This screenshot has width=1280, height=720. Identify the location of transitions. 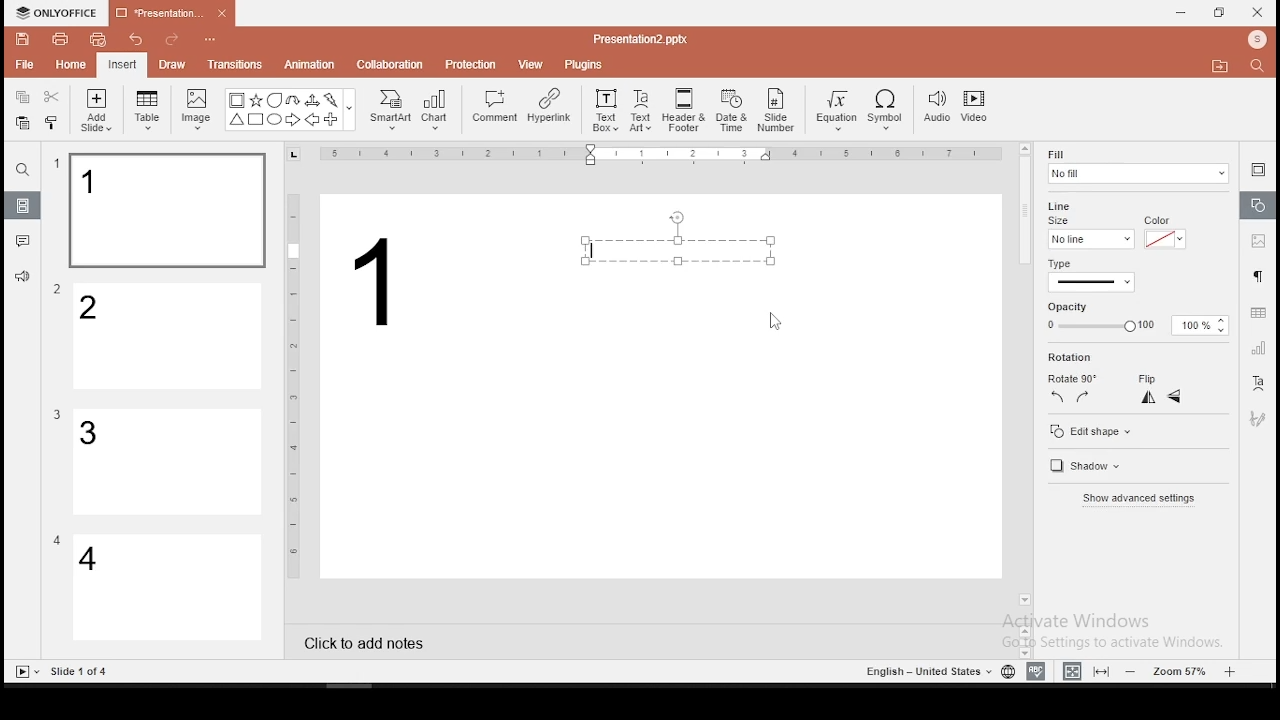
(234, 64).